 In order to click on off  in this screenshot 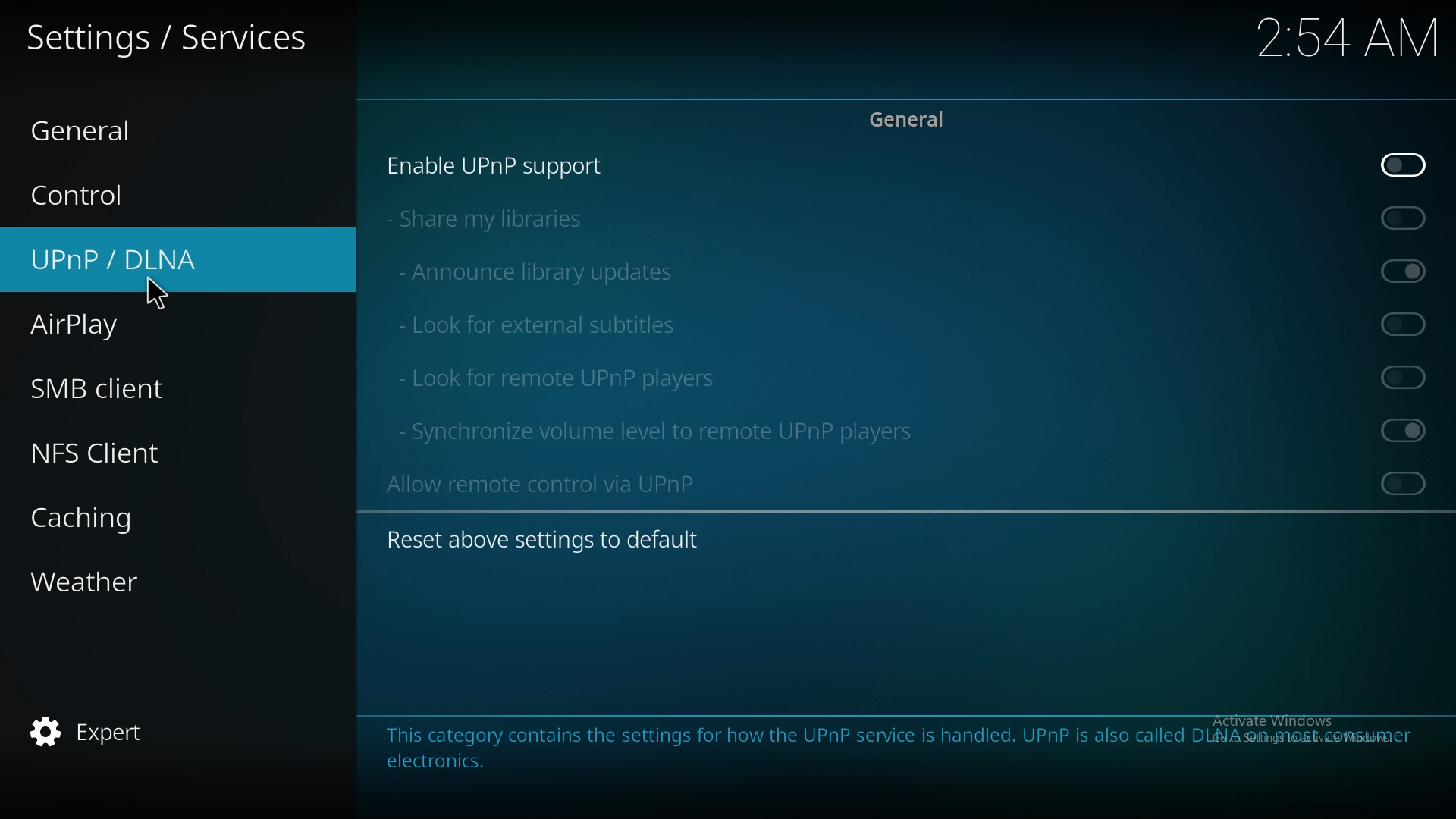, I will do `click(1409, 163)`.